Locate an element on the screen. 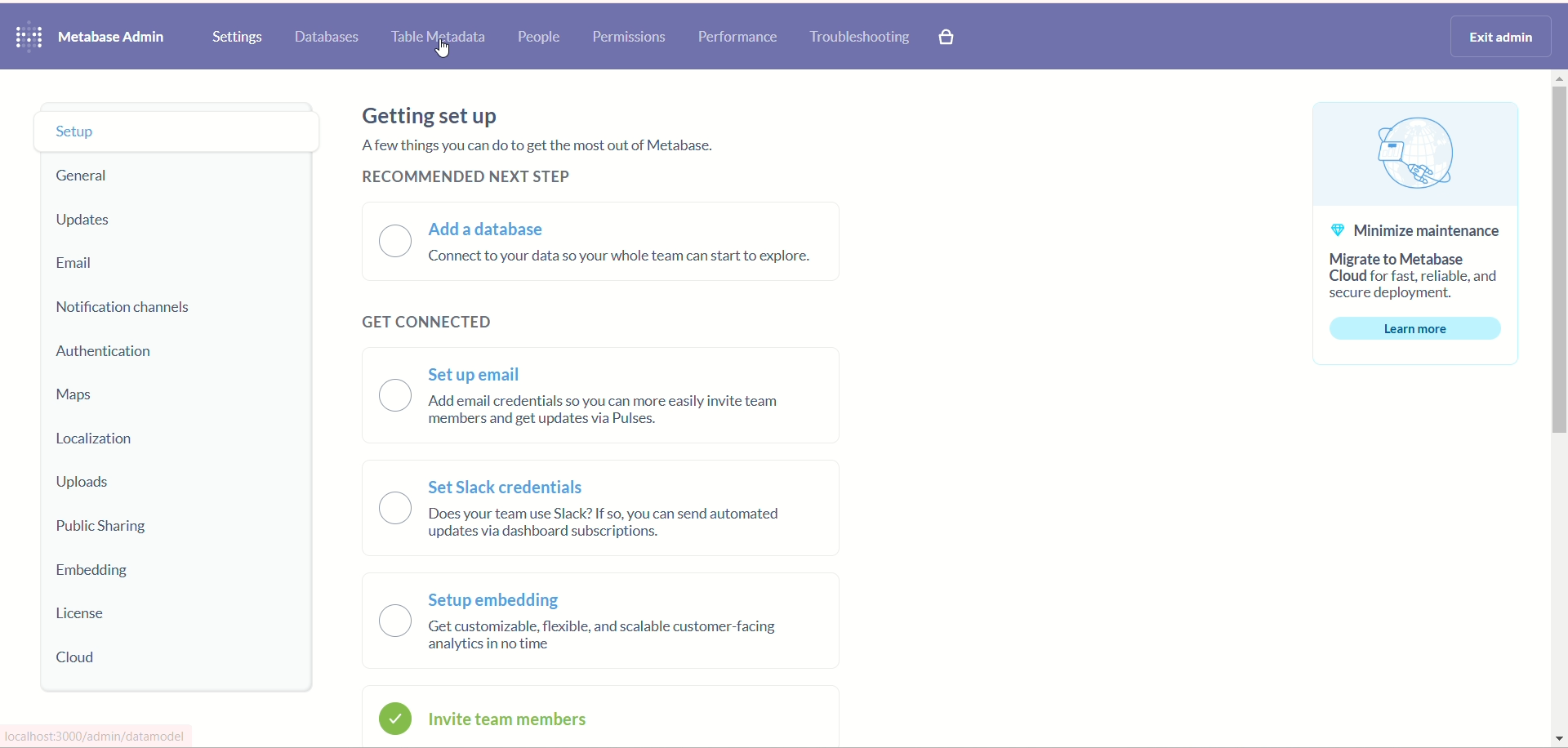 The height and width of the screenshot is (748, 1568). getting set up is located at coordinates (439, 117).